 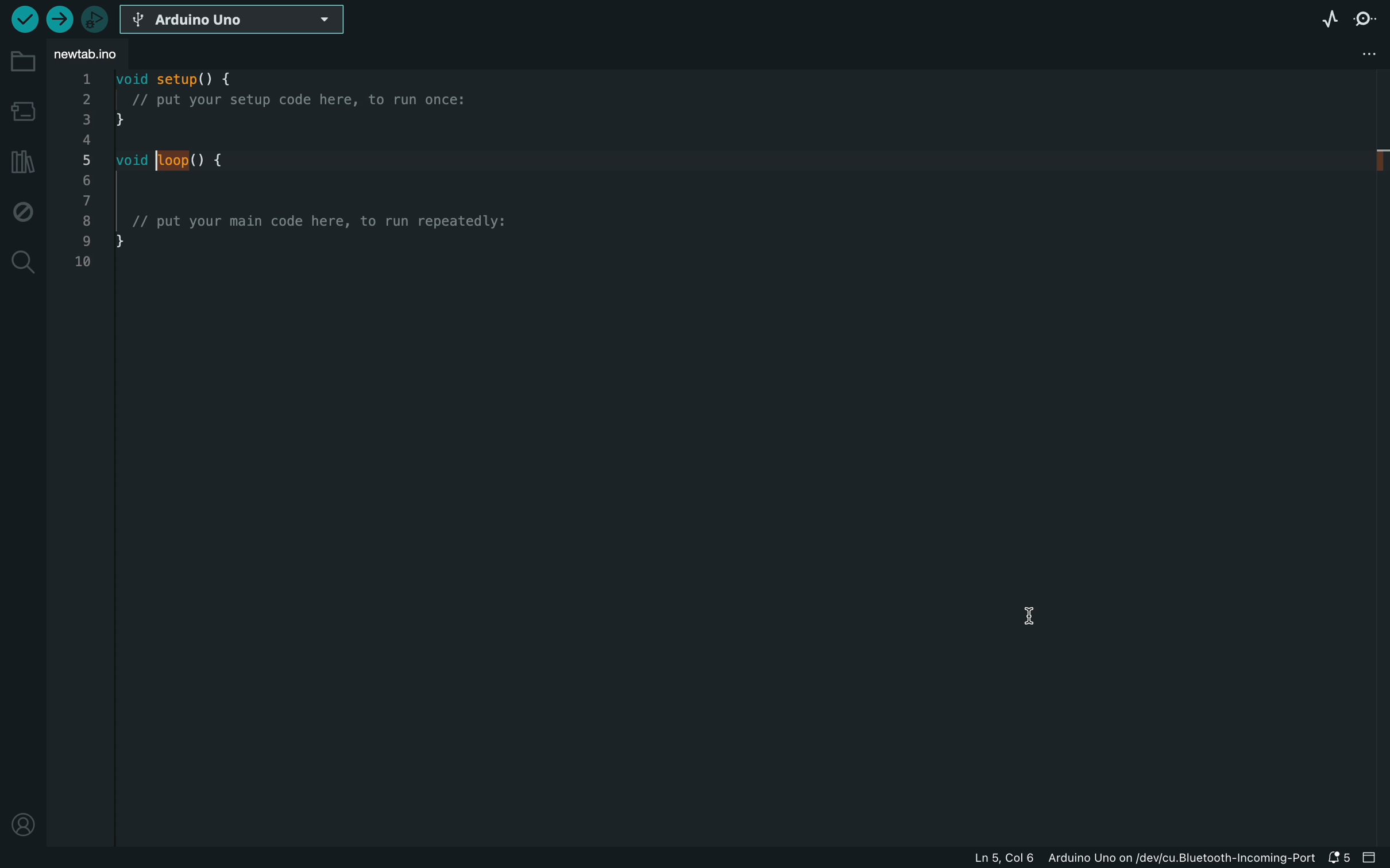 What do you see at coordinates (1033, 615) in the screenshot?
I see `cursor` at bounding box center [1033, 615].